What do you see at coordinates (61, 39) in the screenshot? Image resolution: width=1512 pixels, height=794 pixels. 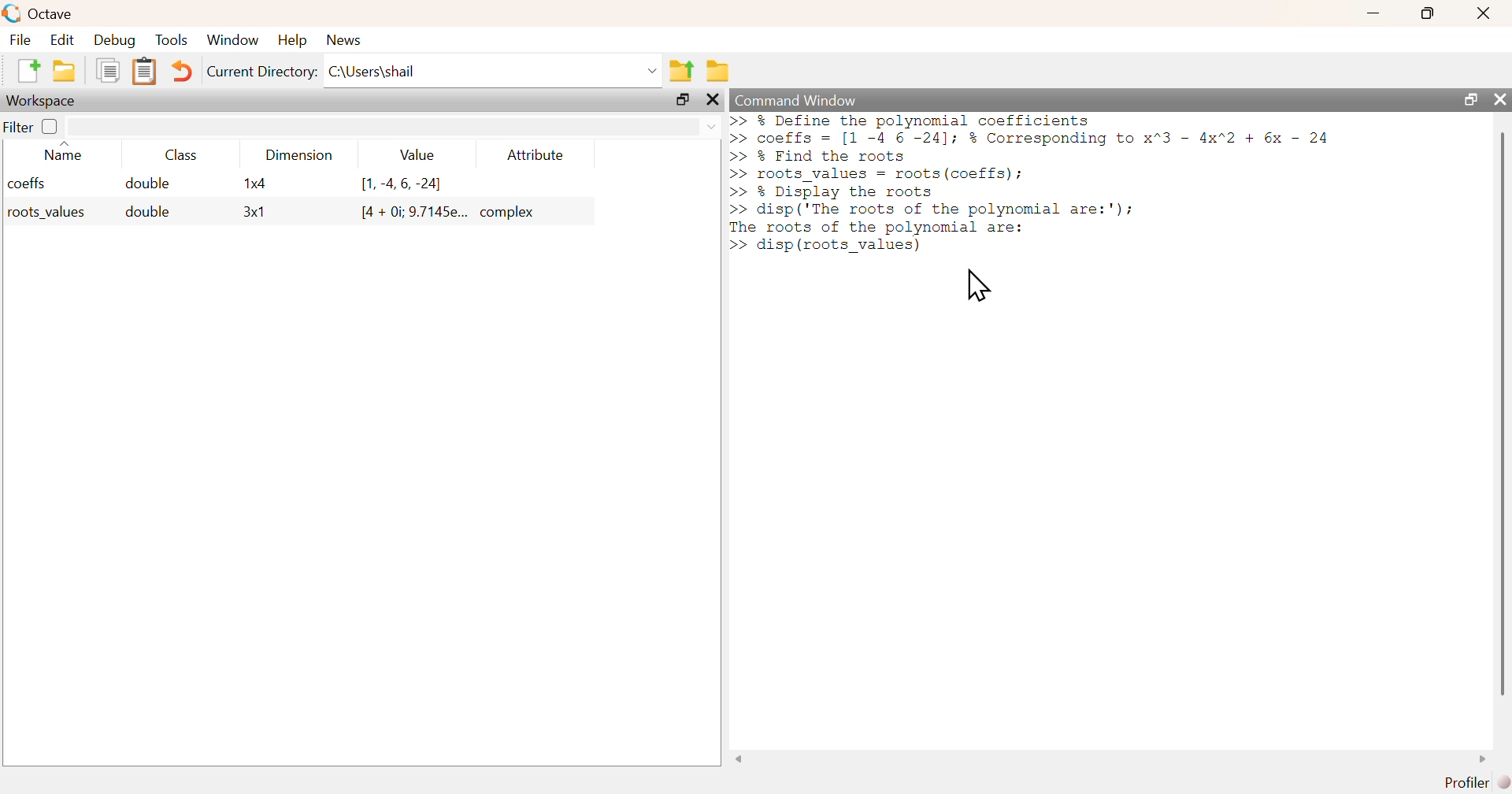 I see `Edit` at bounding box center [61, 39].